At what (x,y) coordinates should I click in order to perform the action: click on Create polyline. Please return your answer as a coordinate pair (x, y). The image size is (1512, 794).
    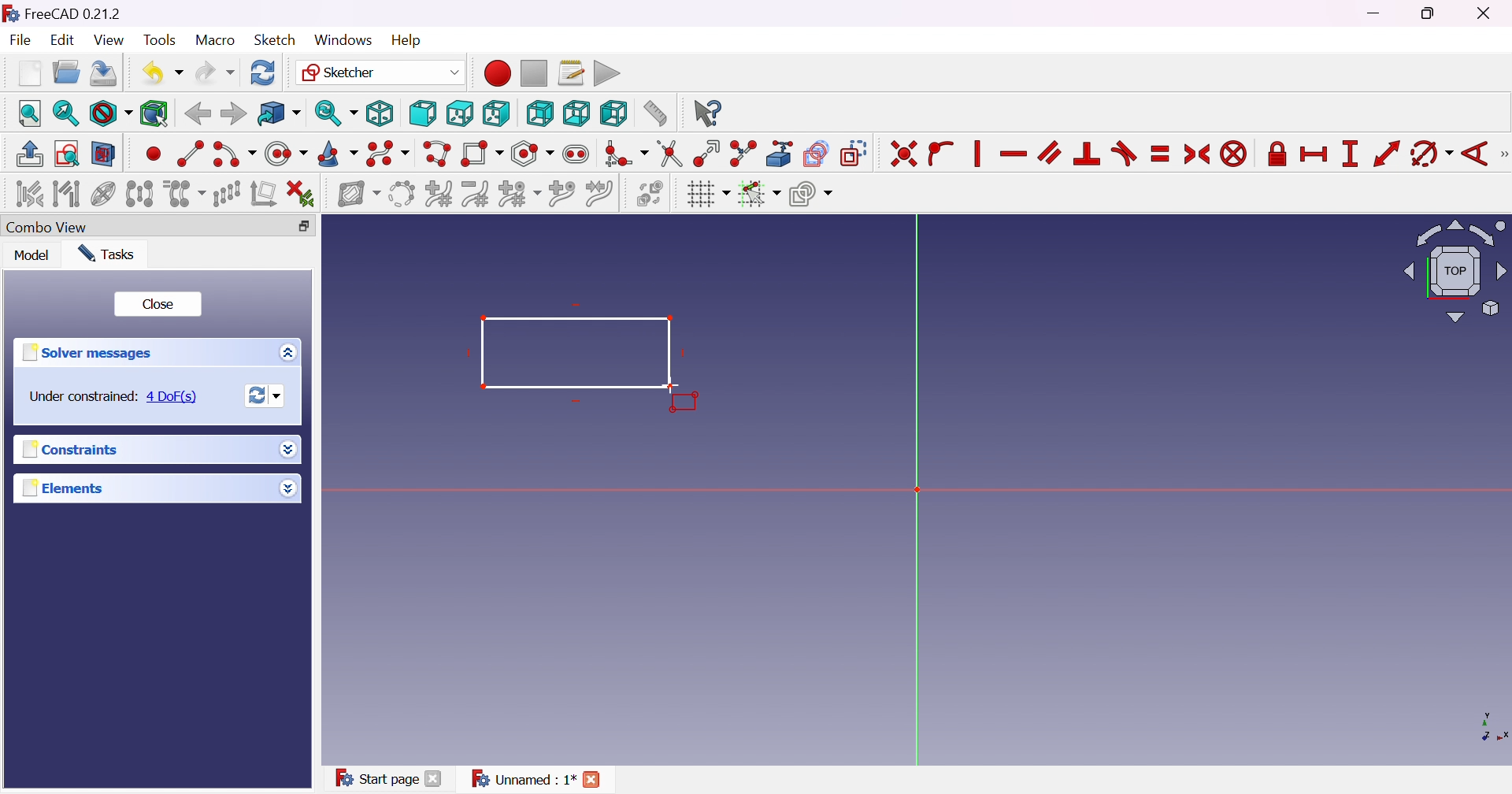
    Looking at the image, I should click on (438, 154).